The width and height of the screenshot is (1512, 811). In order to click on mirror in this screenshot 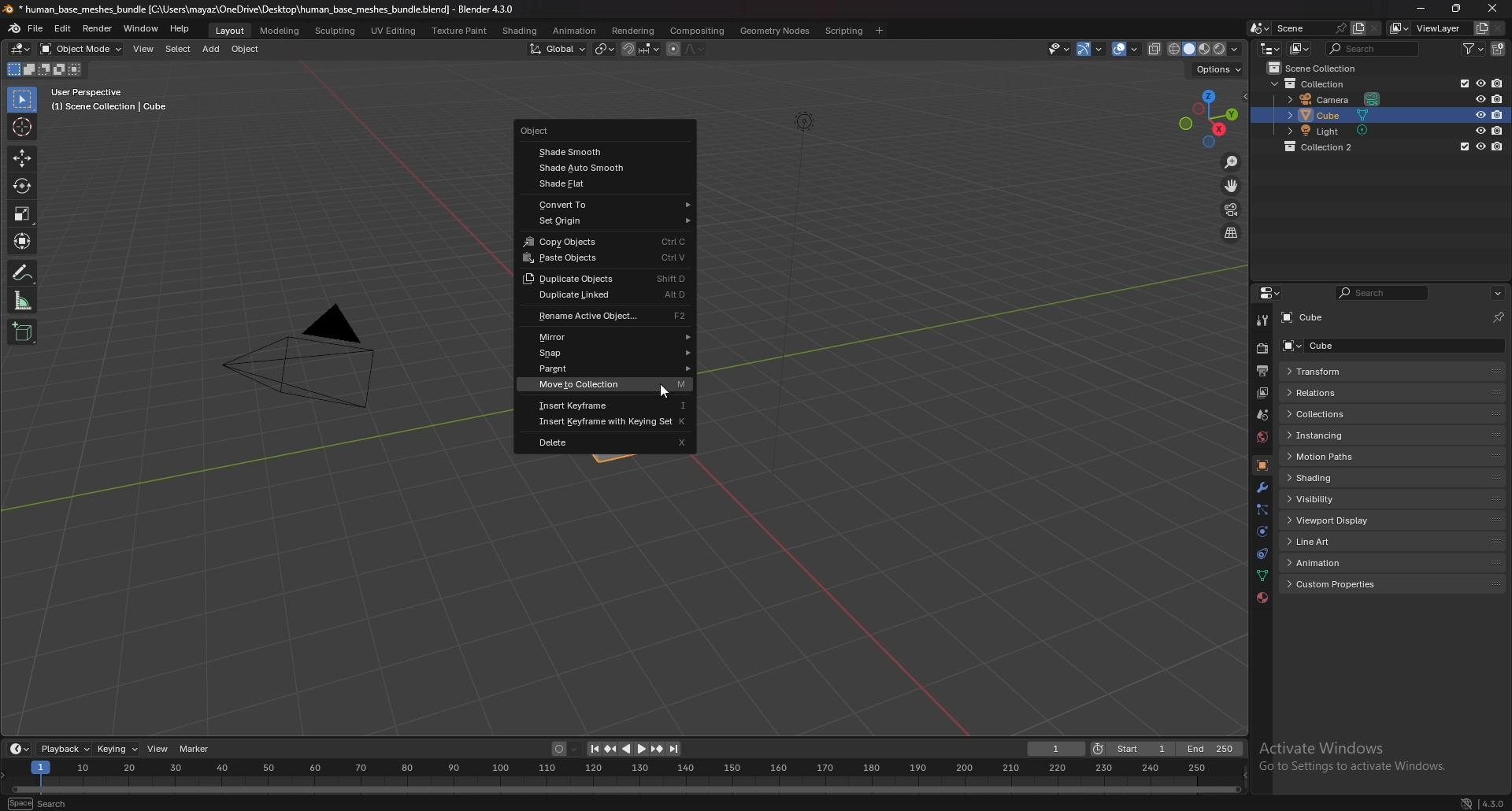, I will do `click(607, 337)`.